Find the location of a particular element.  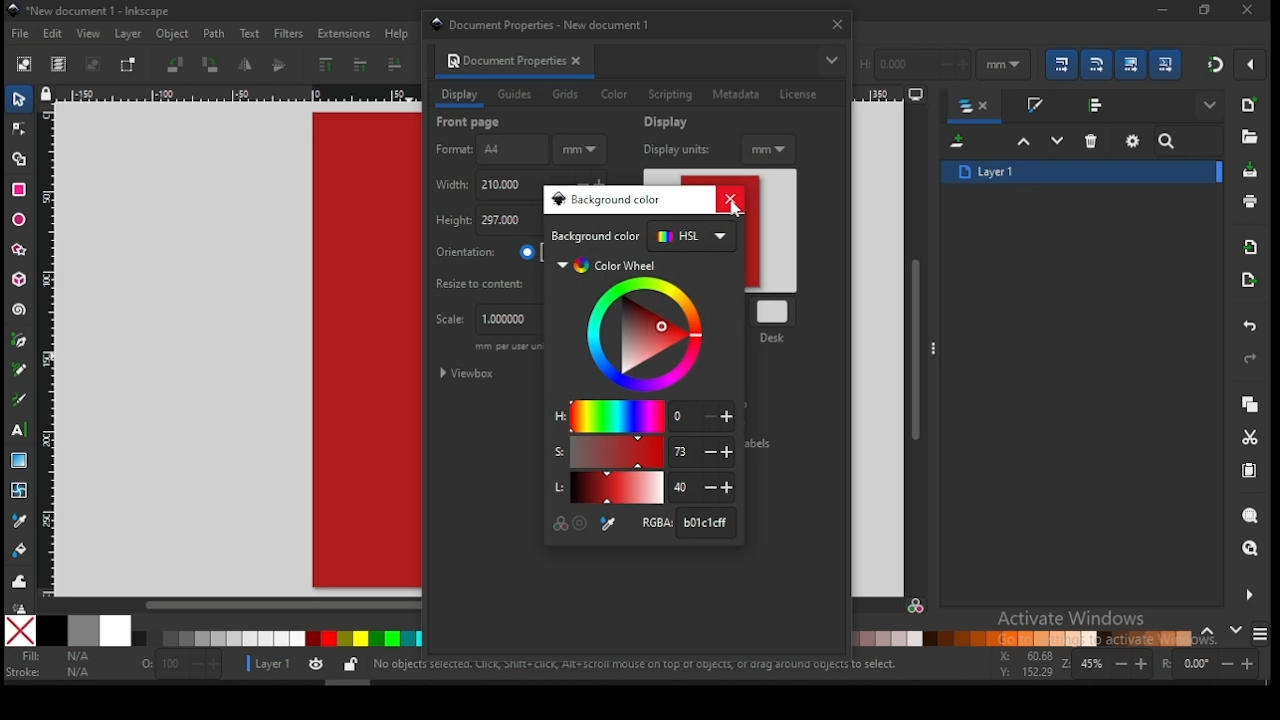

3D box tool is located at coordinates (21, 279).